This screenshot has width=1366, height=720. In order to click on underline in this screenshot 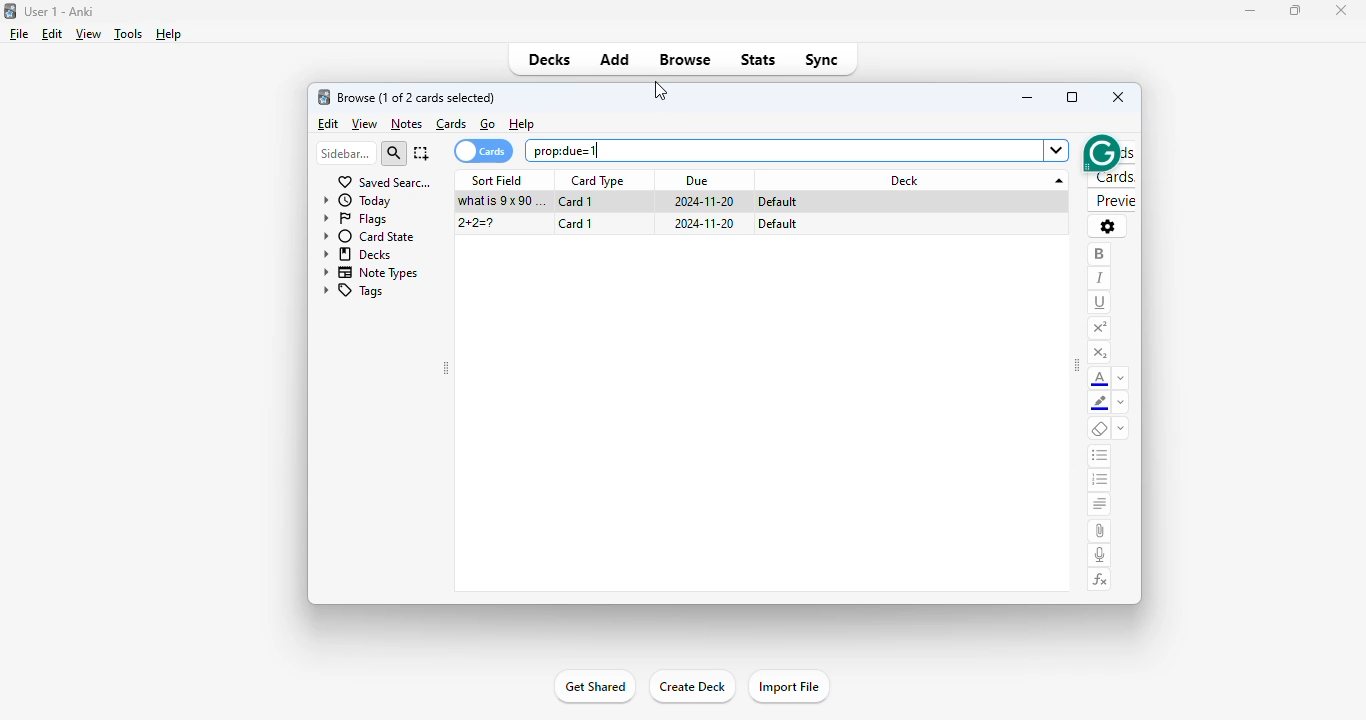, I will do `click(1101, 303)`.